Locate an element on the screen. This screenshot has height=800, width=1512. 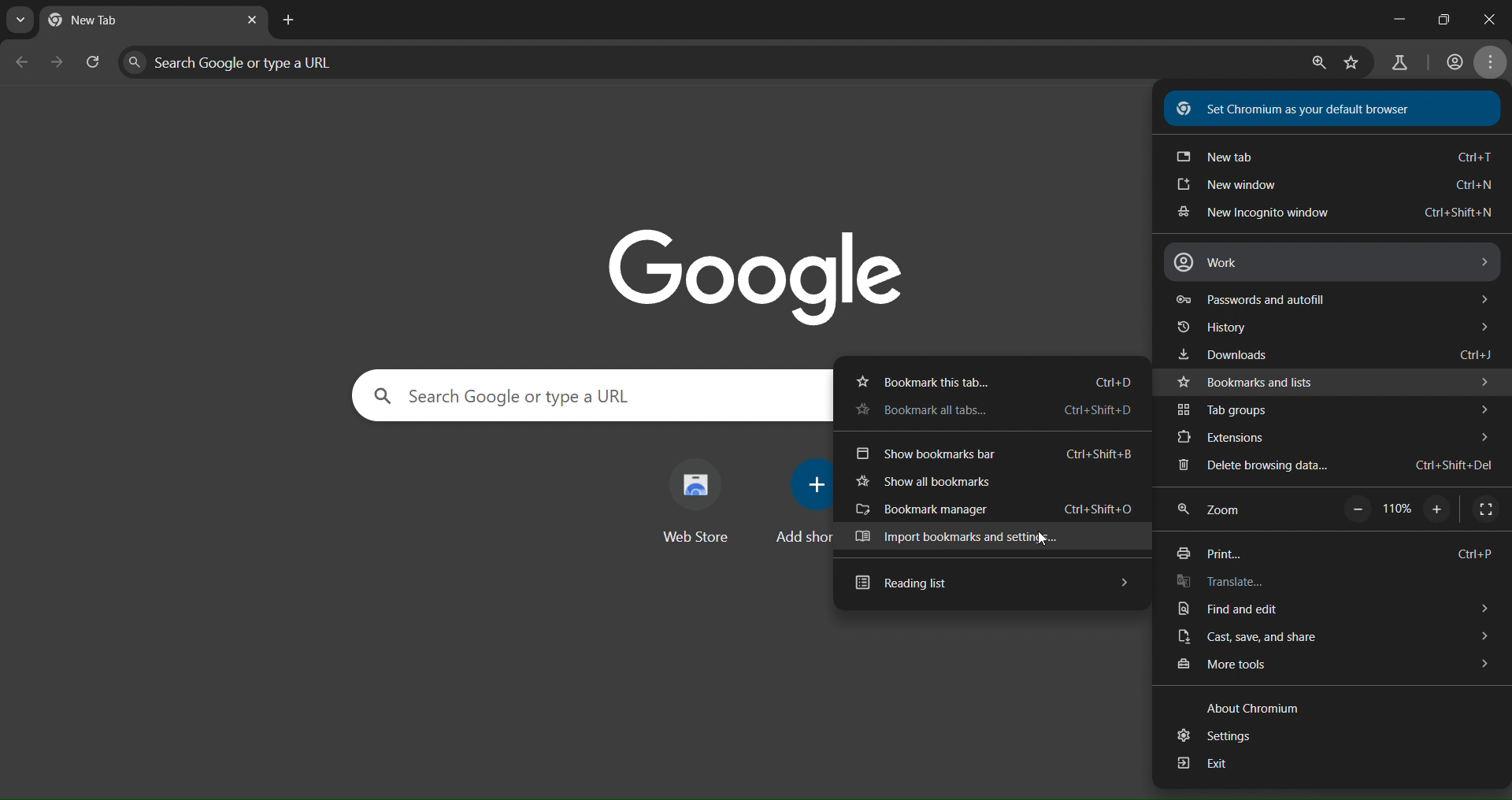
history is located at coordinates (1332, 327).